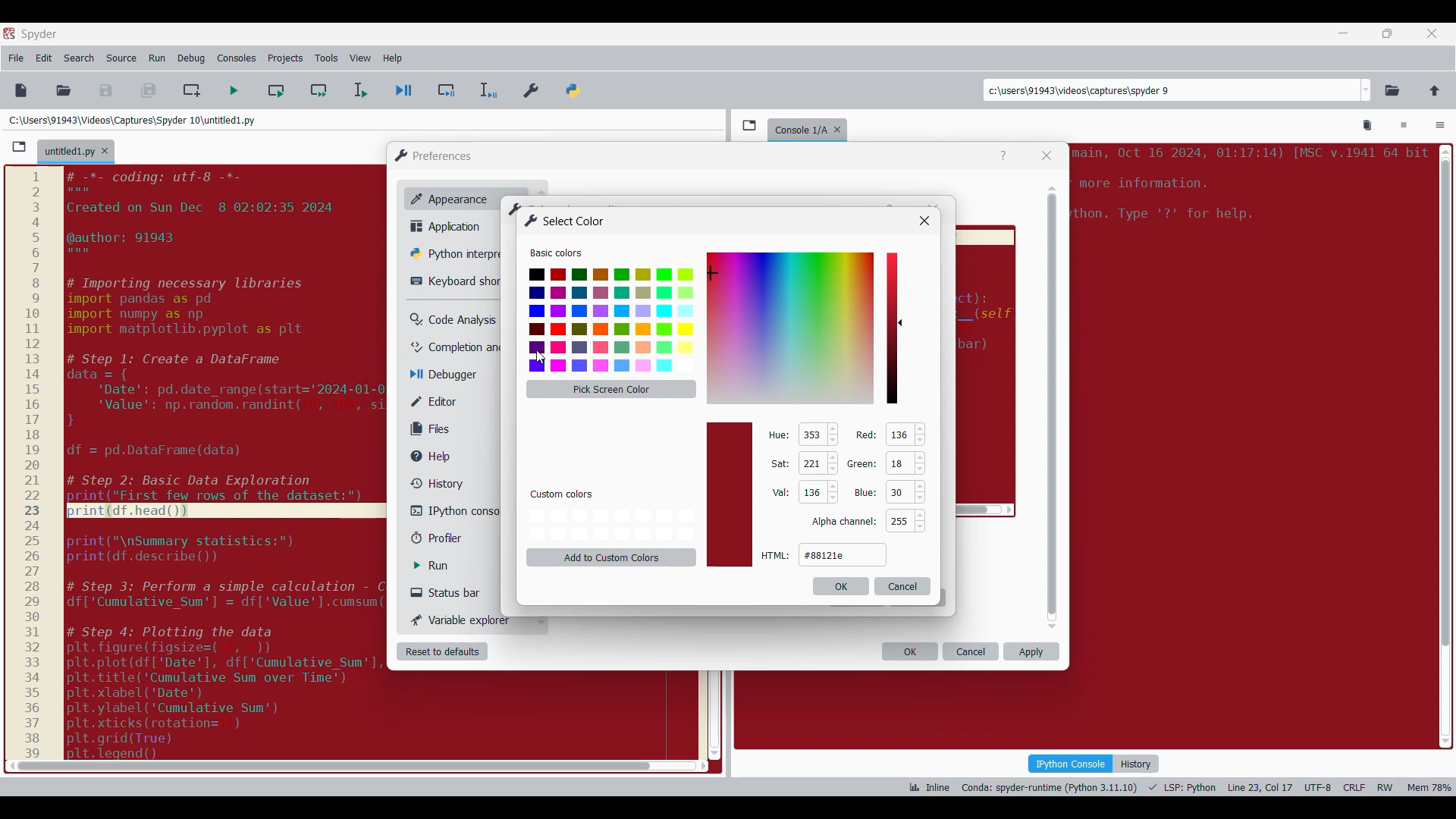 Image resolution: width=1456 pixels, height=819 pixels. I want to click on Files, so click(434, 428).